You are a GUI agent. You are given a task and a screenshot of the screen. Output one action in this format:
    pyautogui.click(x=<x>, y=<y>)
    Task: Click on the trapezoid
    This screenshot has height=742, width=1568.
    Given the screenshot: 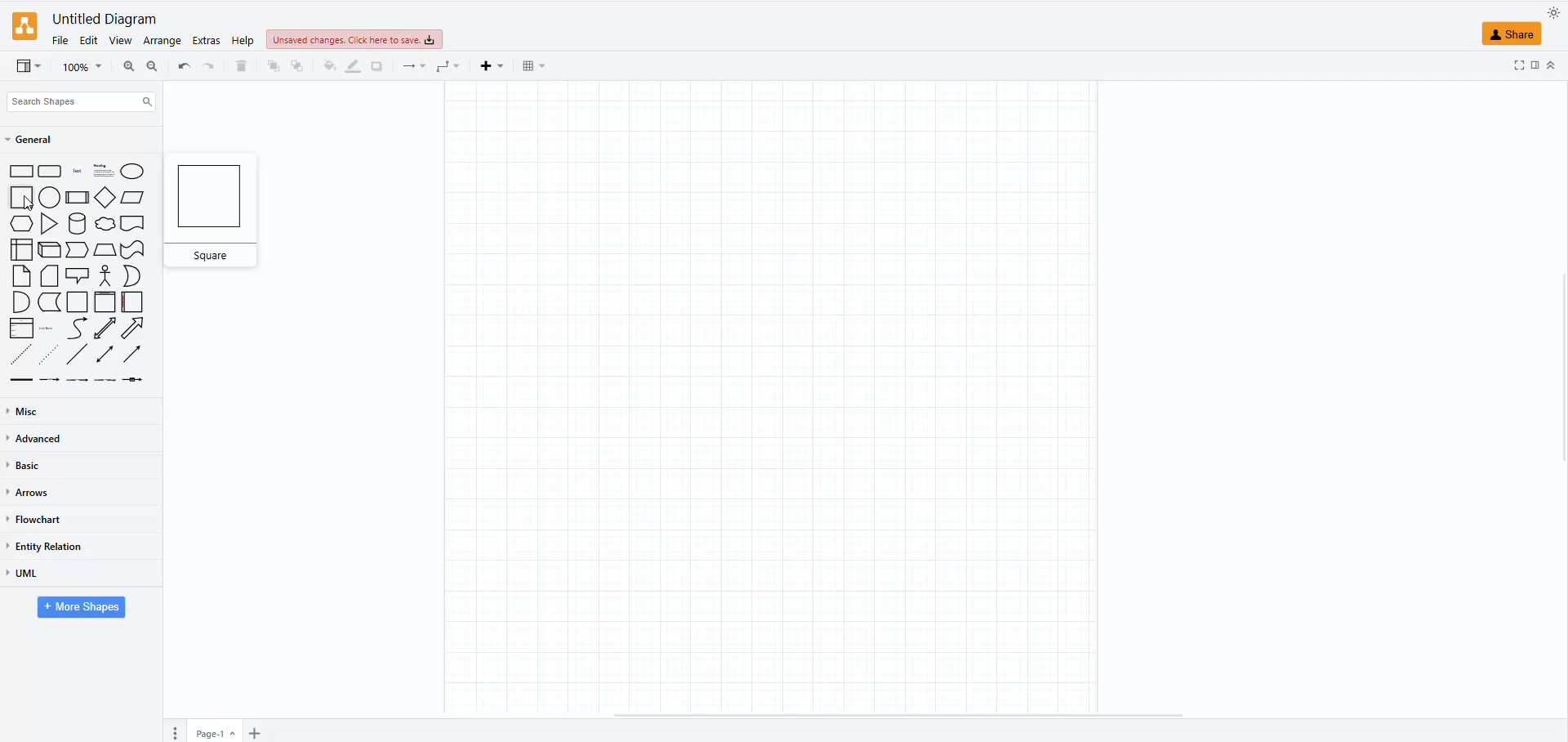 What is the action you would take?
    pyautogui.click(x=105, y=251)
    